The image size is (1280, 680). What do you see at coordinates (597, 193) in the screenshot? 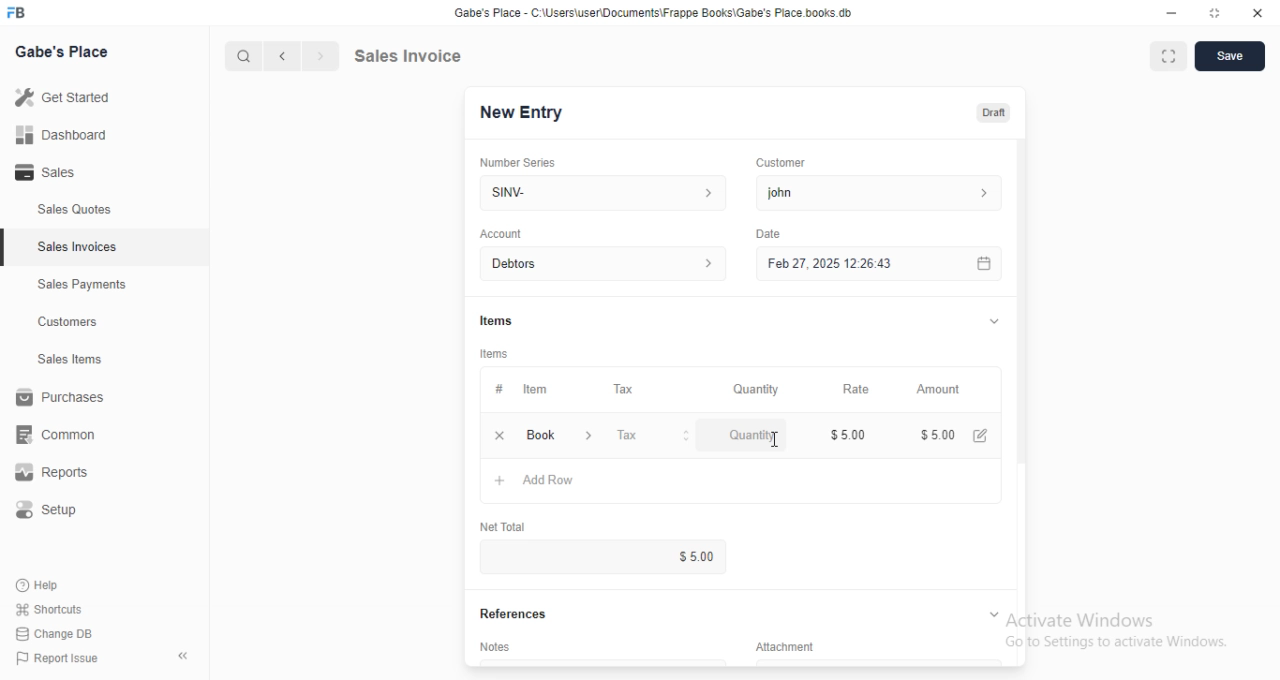
I see `SINV- >` at bounding box center [597, 193].